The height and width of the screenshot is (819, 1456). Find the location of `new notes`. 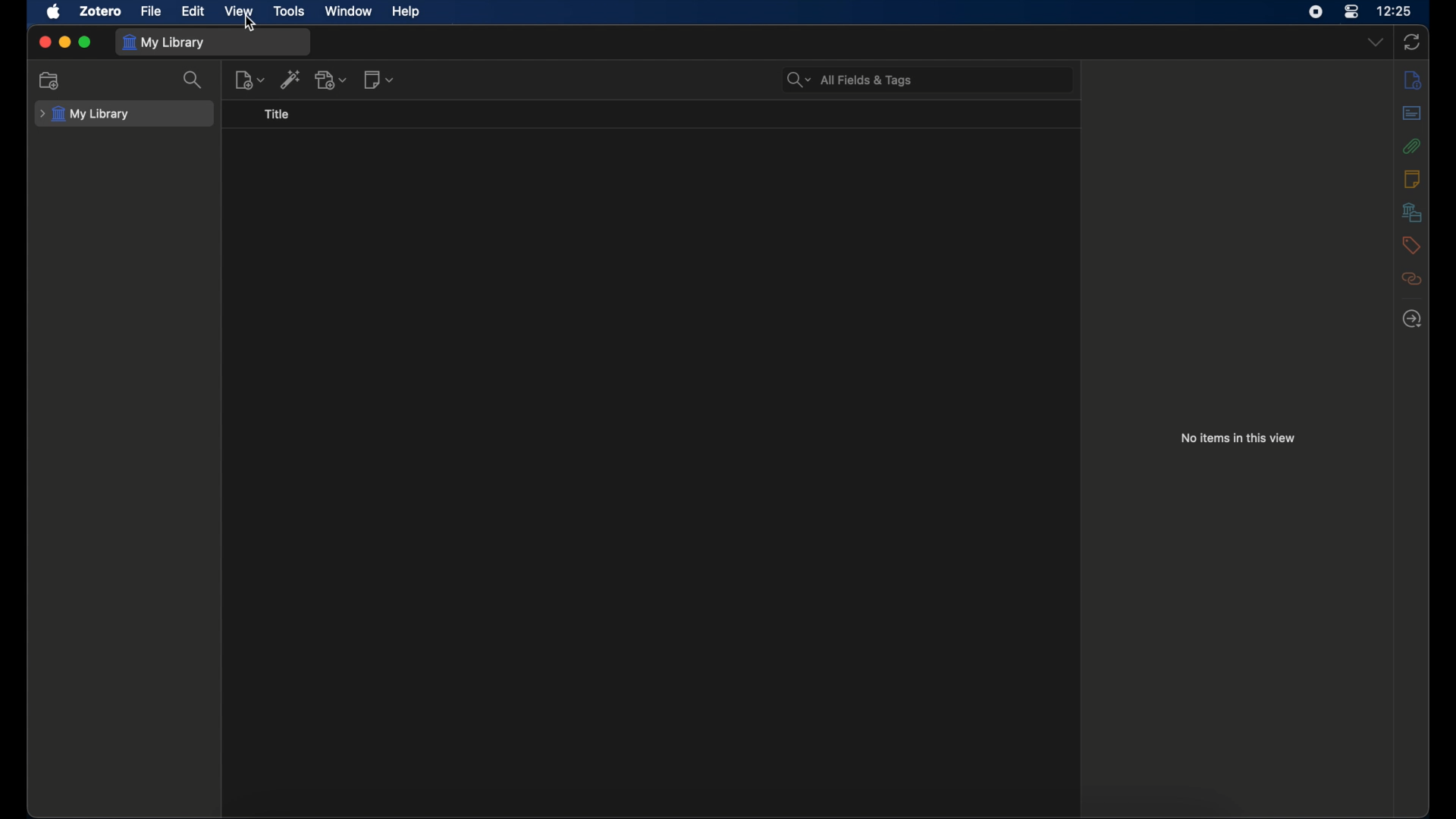

new notes is located at coordinates (379, 80).